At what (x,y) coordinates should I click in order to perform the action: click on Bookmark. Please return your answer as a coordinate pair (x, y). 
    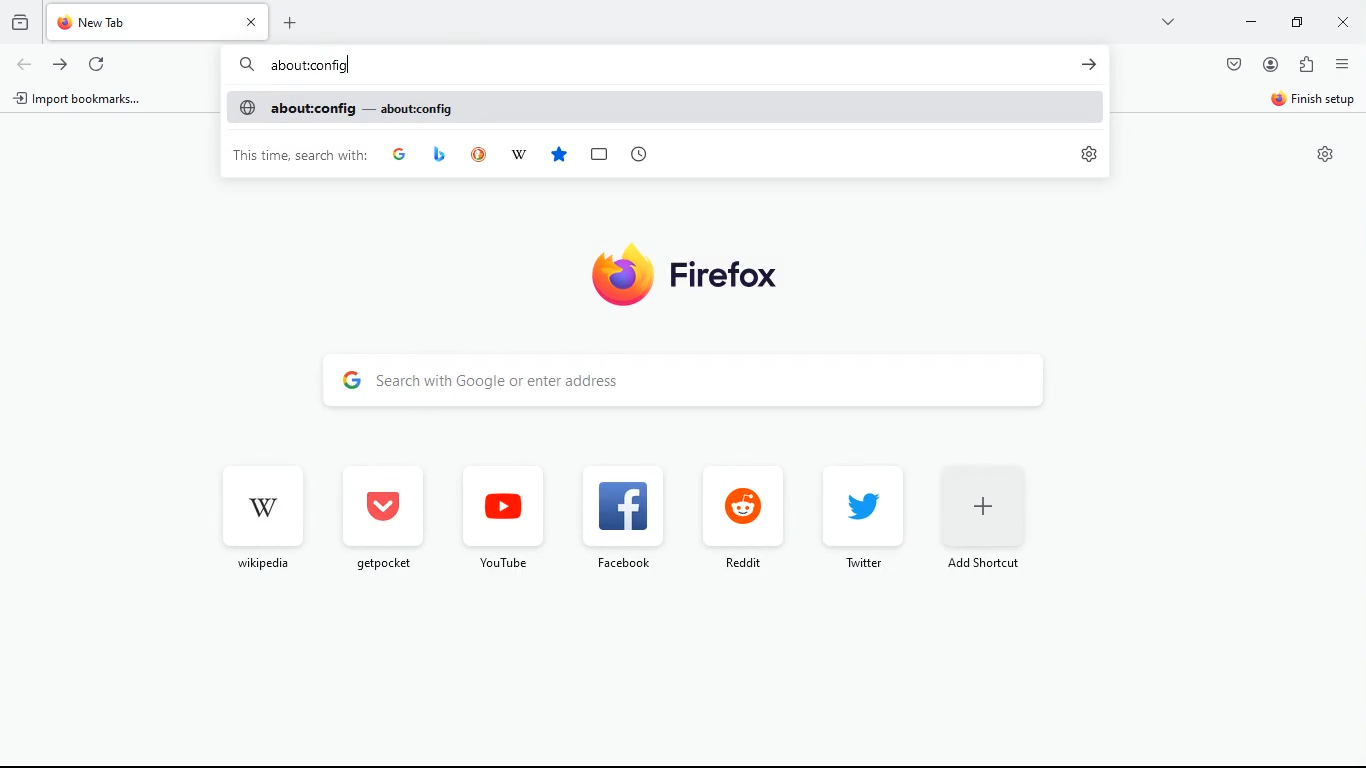
    Looking at the image, I should click on (598, 155).